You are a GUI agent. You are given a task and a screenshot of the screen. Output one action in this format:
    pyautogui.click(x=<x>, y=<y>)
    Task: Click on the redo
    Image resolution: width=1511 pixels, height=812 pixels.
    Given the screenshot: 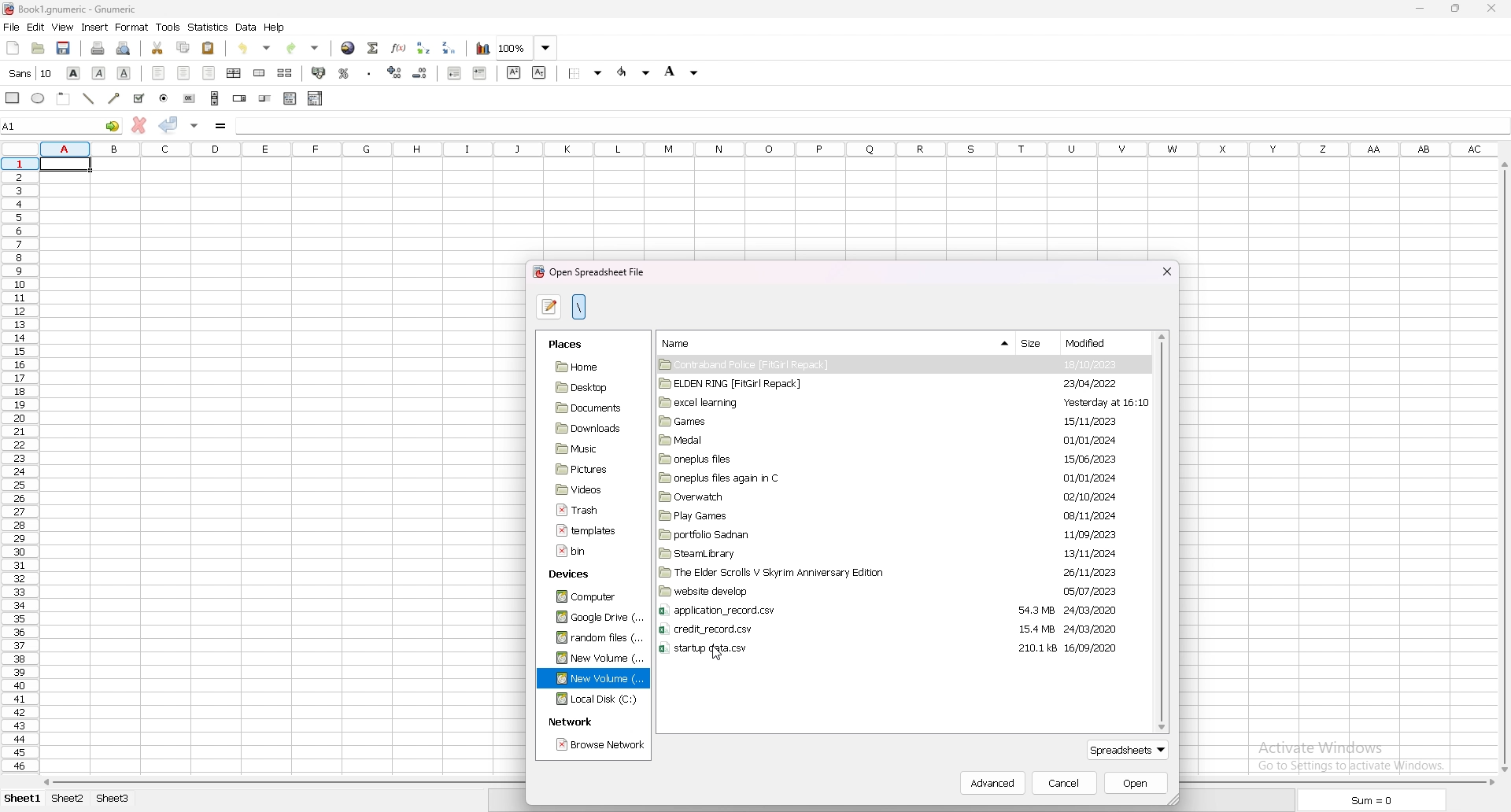 What is the action you would take?
    pyautogui.click(x=305, y=49)
    